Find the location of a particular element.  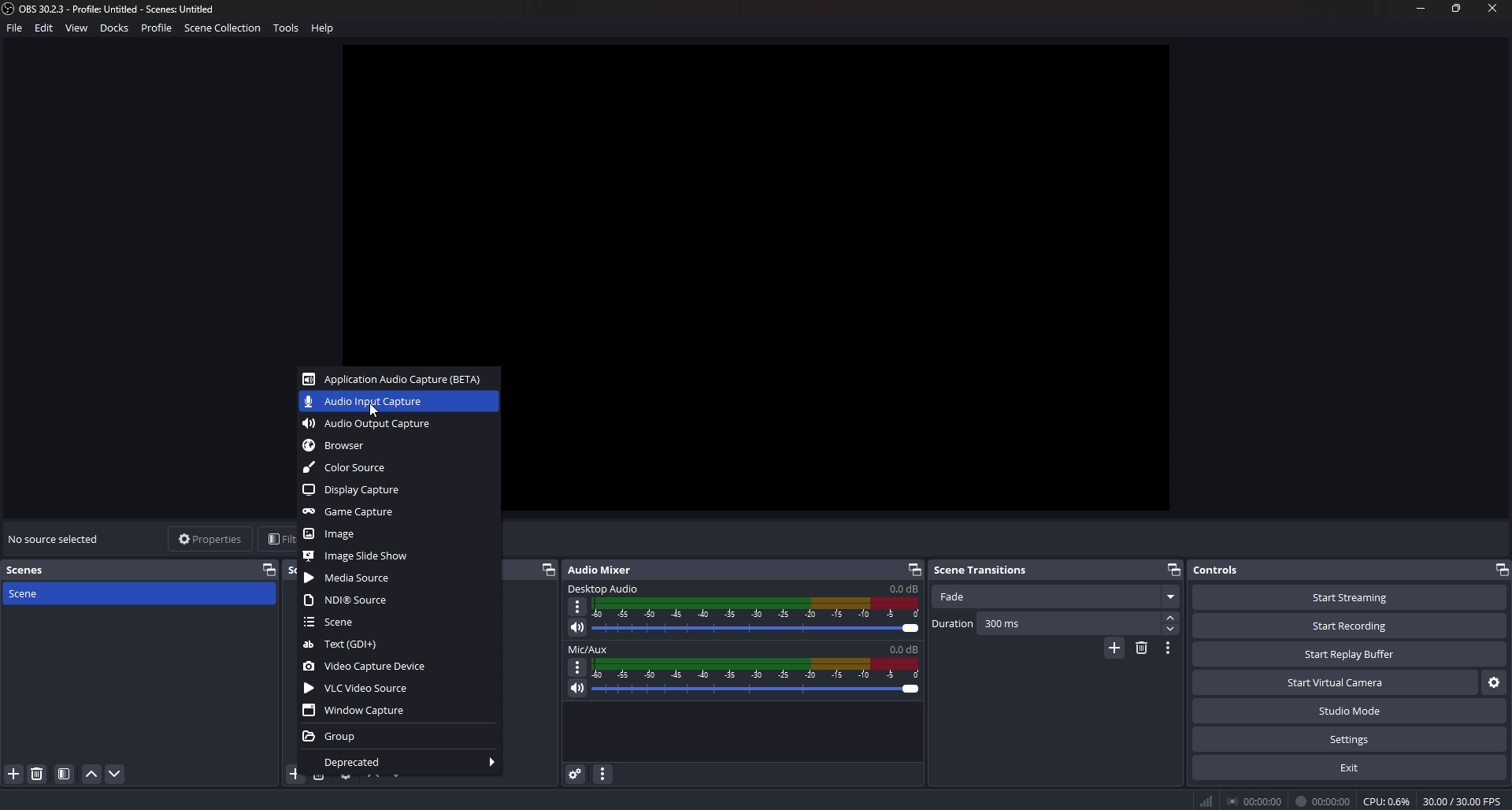

add transition is located at coordinates (1114, 650).